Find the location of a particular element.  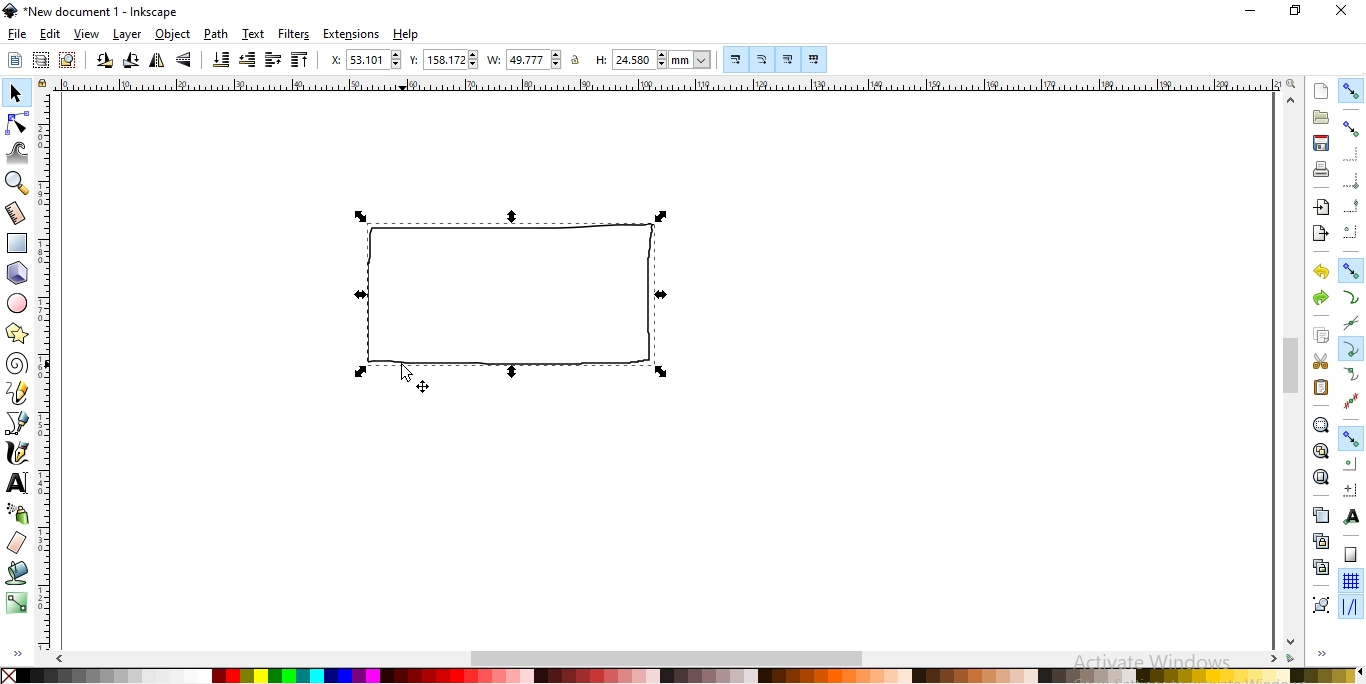

shape image is located at coordinates (520, 297).